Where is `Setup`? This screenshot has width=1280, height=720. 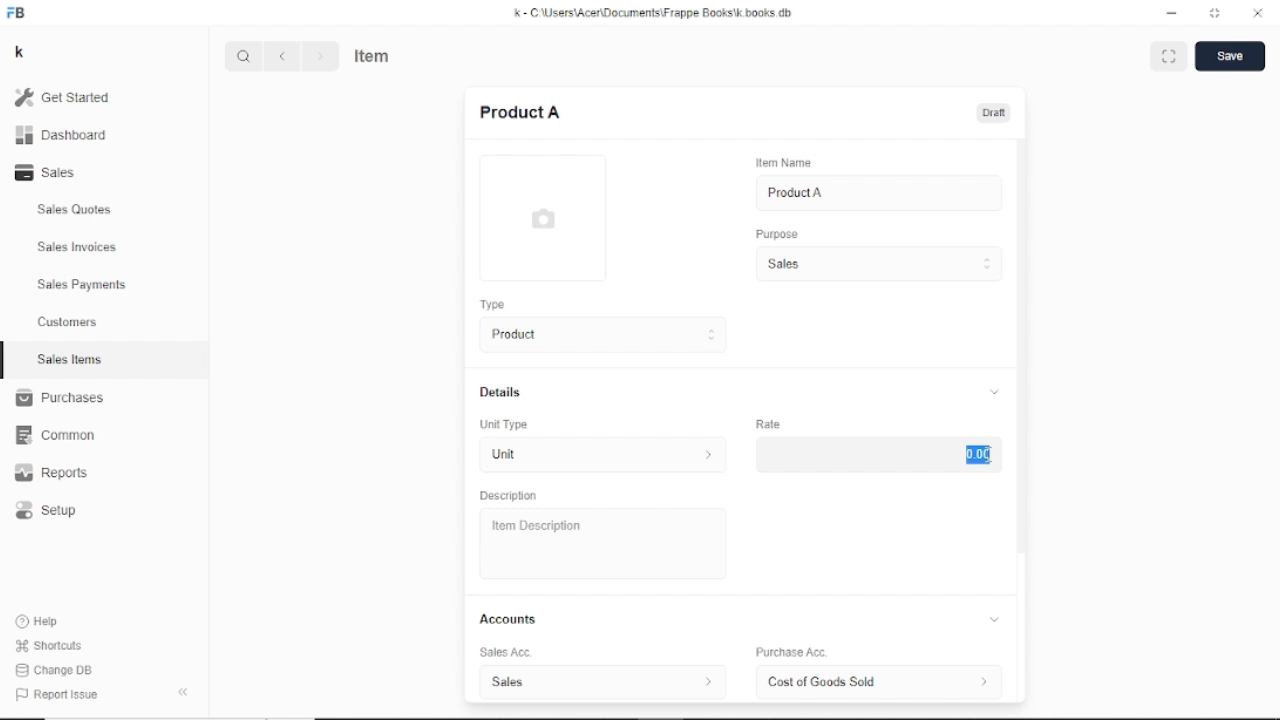 Setup is located at coordinates (47, 511).